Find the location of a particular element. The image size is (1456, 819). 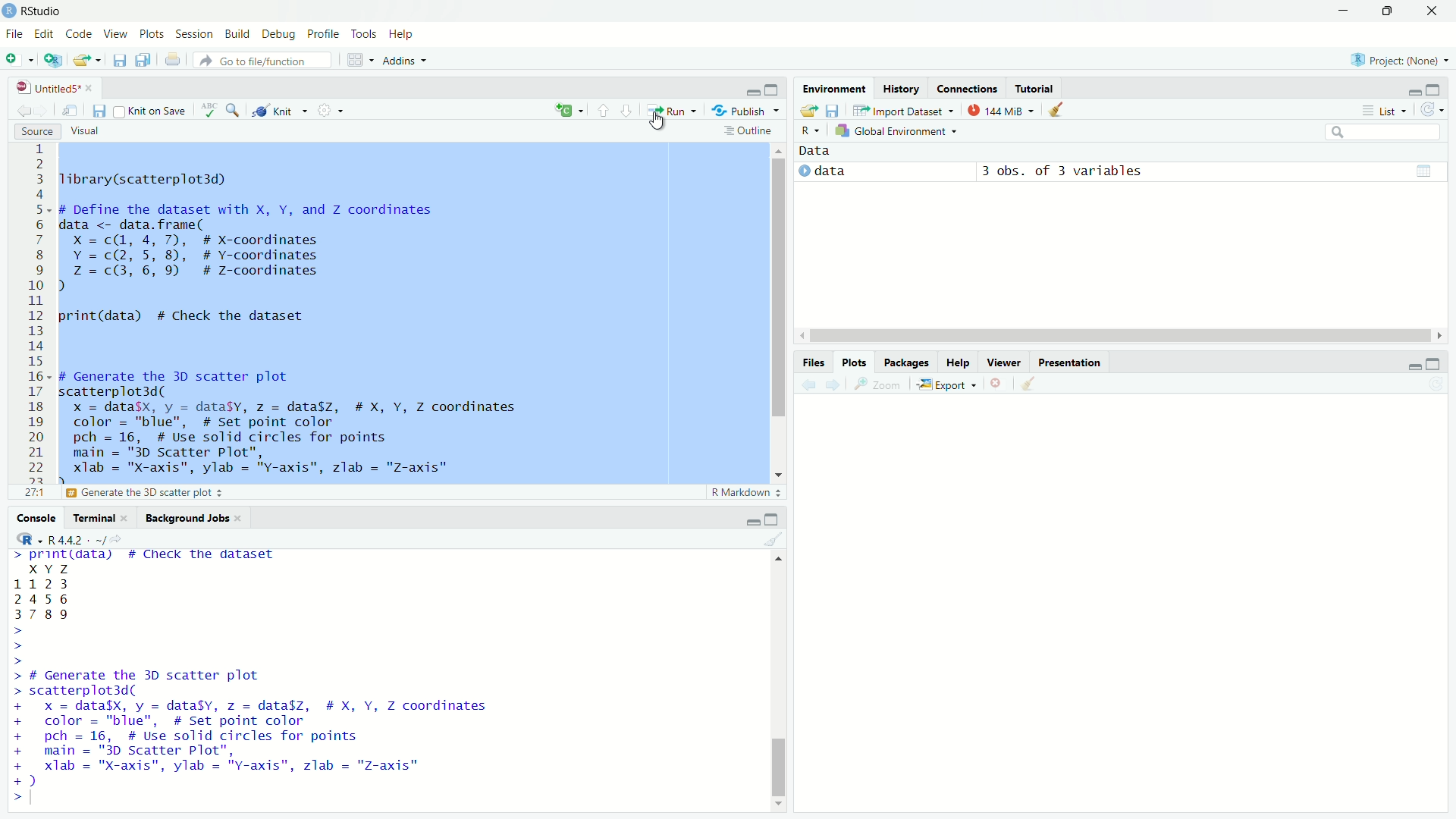

maximize is located at coordinates (773, 89).